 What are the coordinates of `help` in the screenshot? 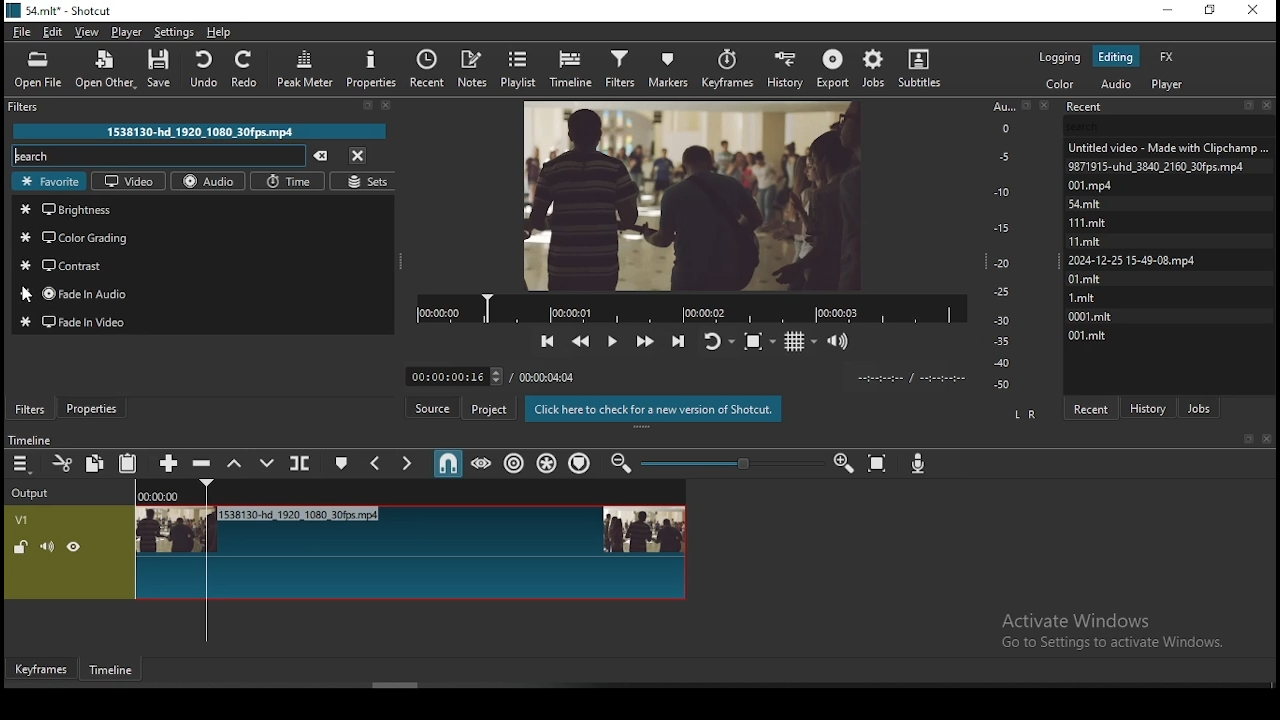 It's located at (219, 31).